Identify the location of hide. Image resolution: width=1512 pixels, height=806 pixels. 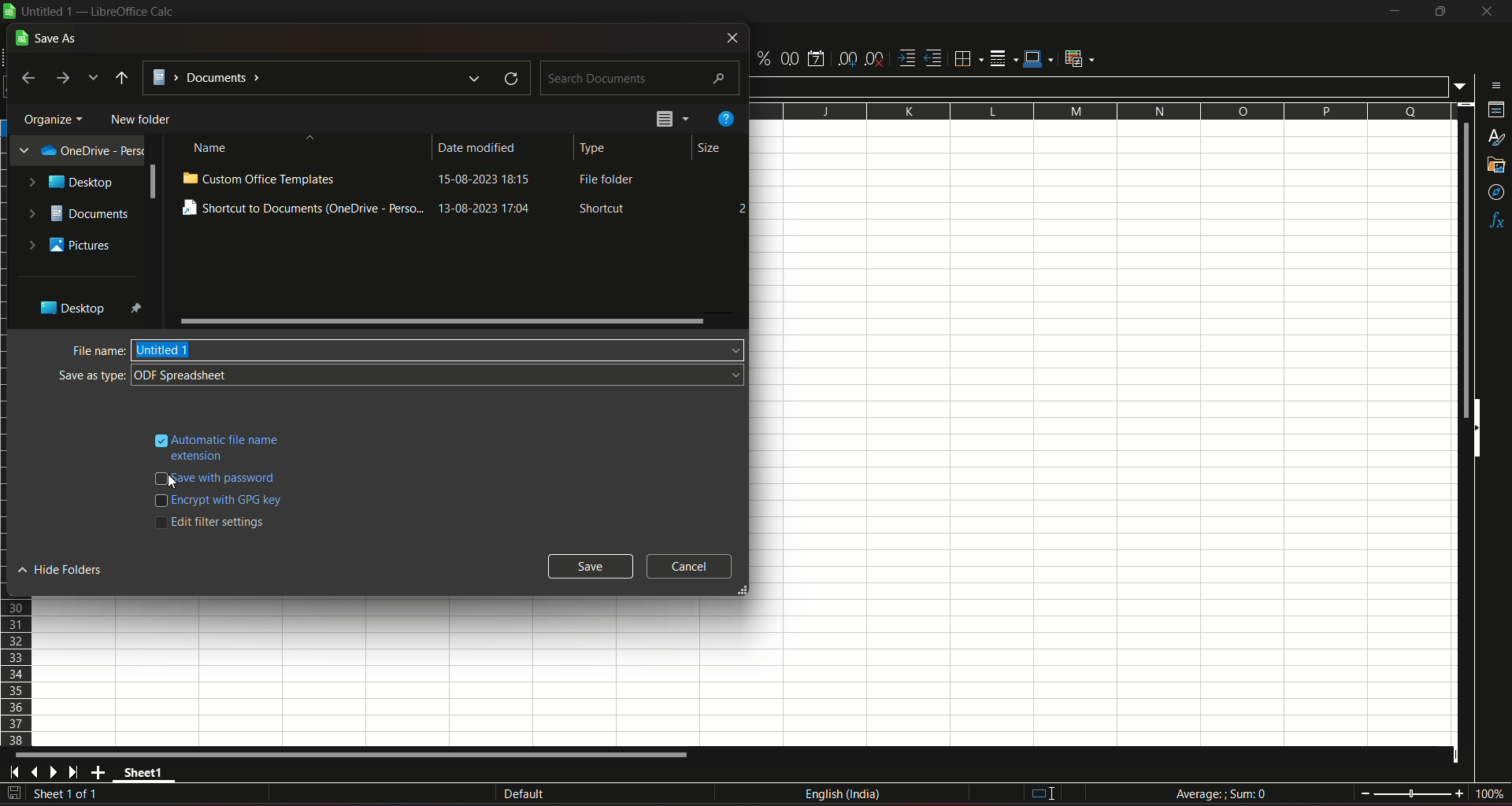
(1480, 431).